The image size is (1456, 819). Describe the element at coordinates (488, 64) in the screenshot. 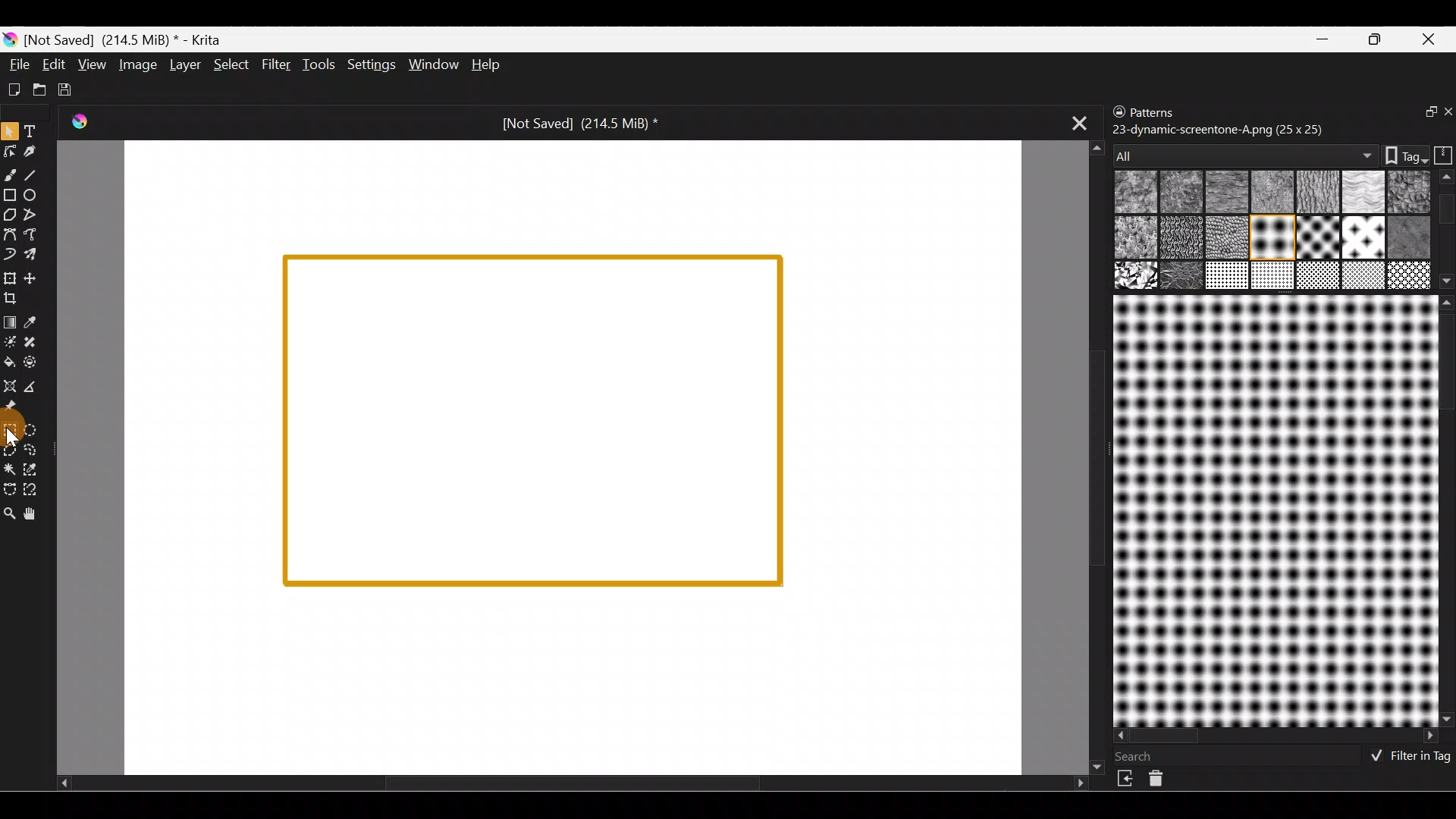

I see `Help` at that location.